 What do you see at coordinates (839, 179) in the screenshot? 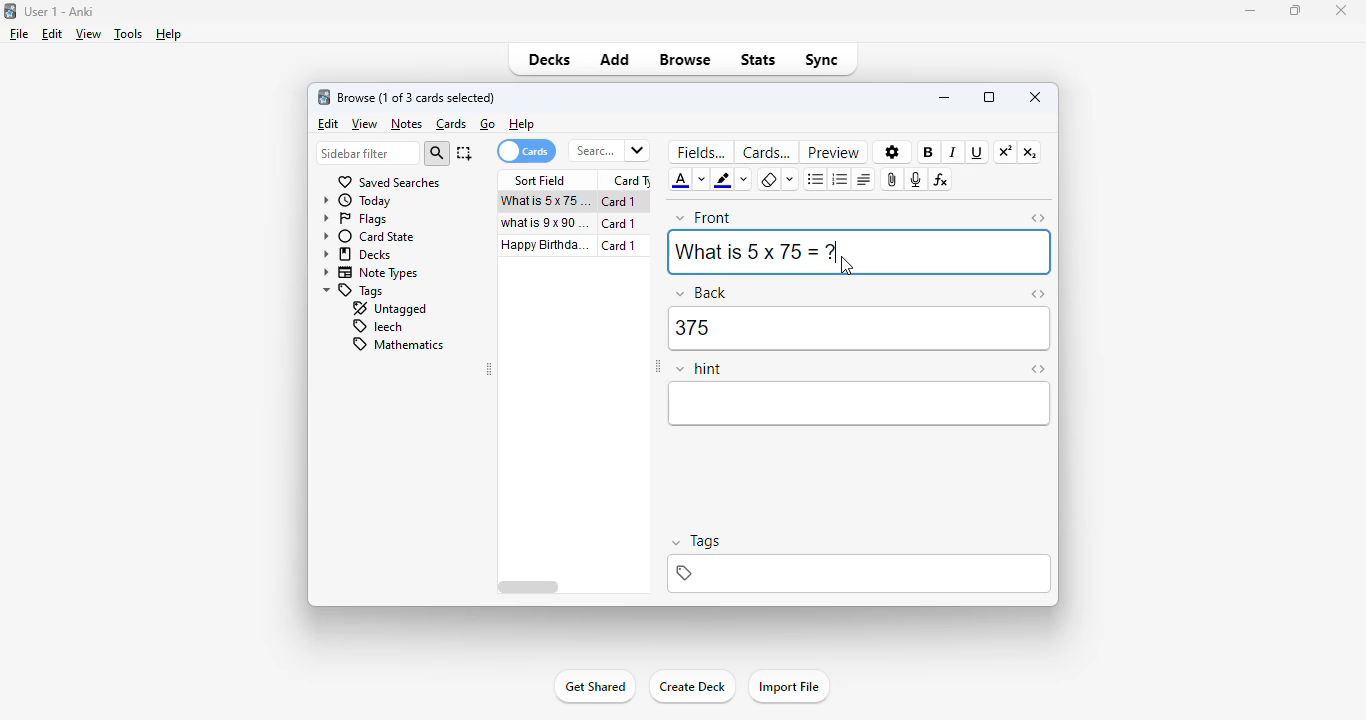
I see `ordered list` at bounding box center [839, 179].